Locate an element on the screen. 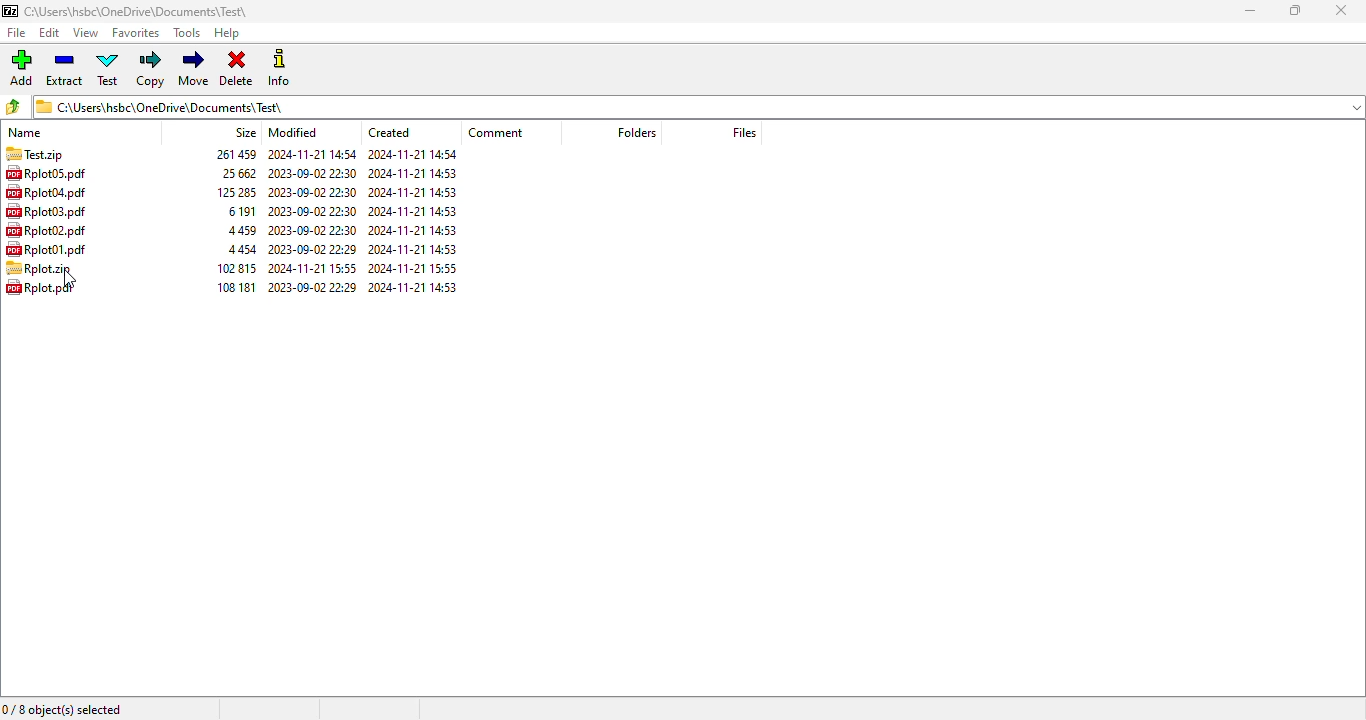  tools is located at coordinates (186, 32).